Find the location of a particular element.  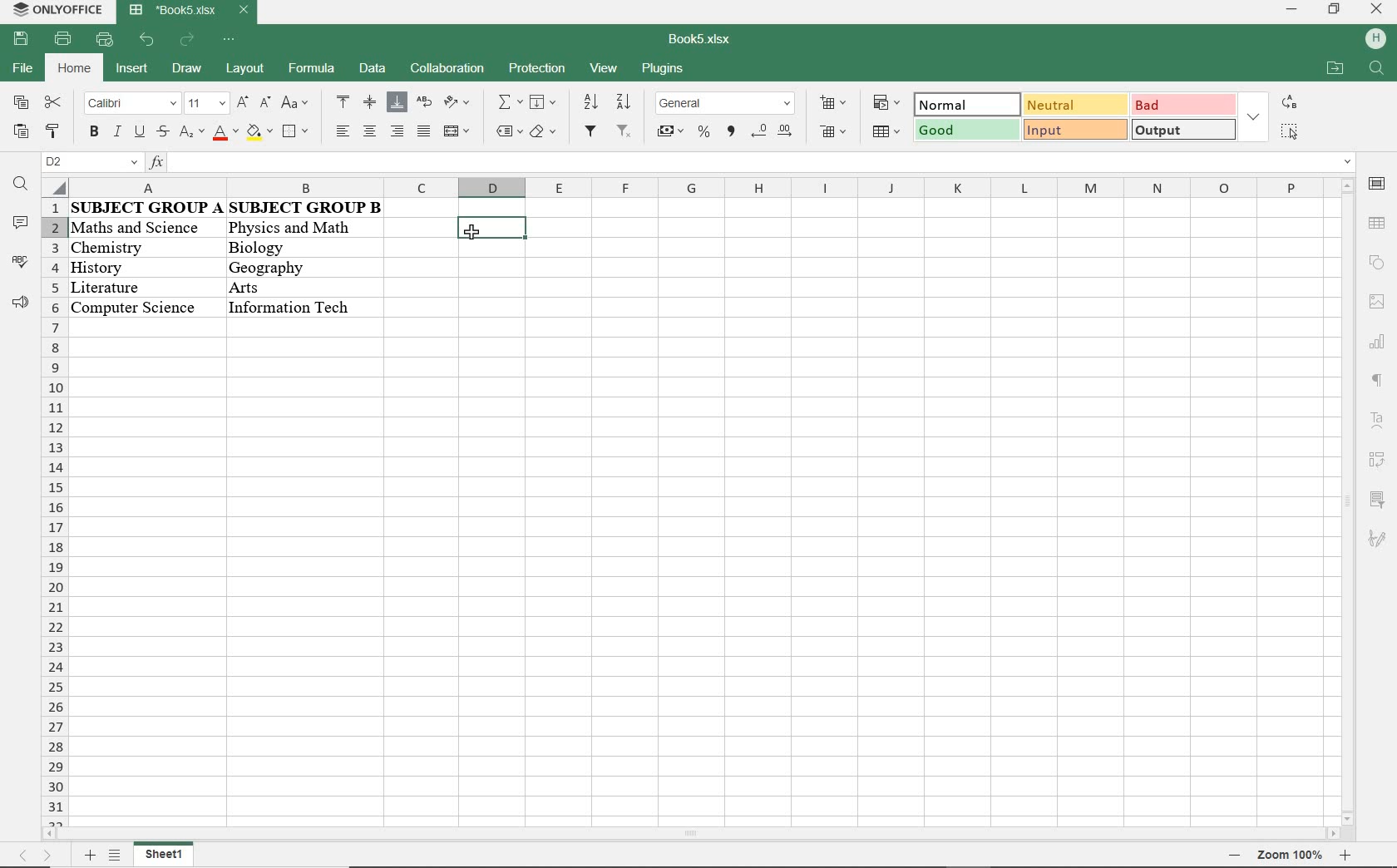

insert cells is located at coordinates (832, 104).